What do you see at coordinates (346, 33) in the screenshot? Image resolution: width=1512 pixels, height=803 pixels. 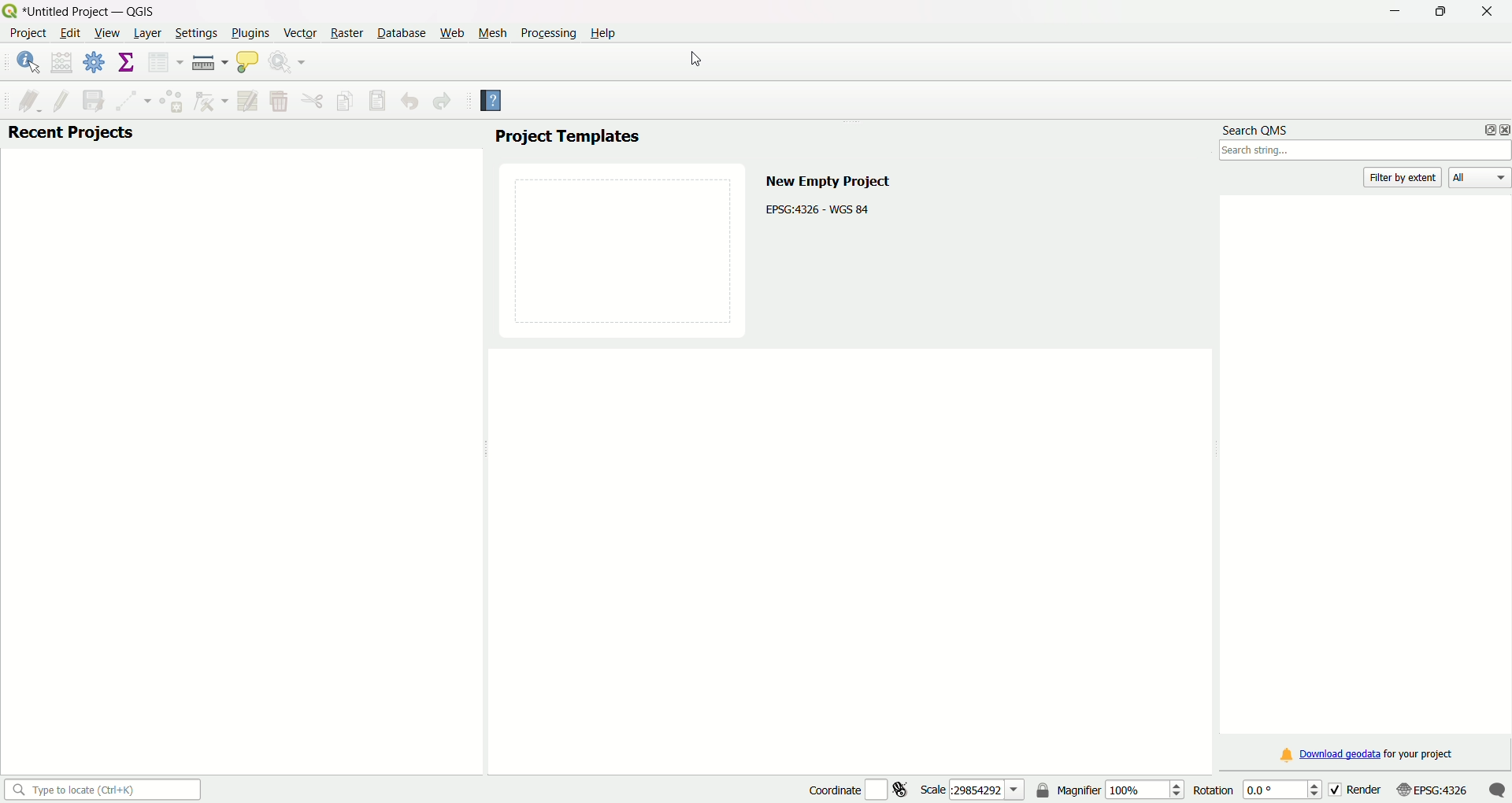 I see `Raster` at bounding box center [346, 33].